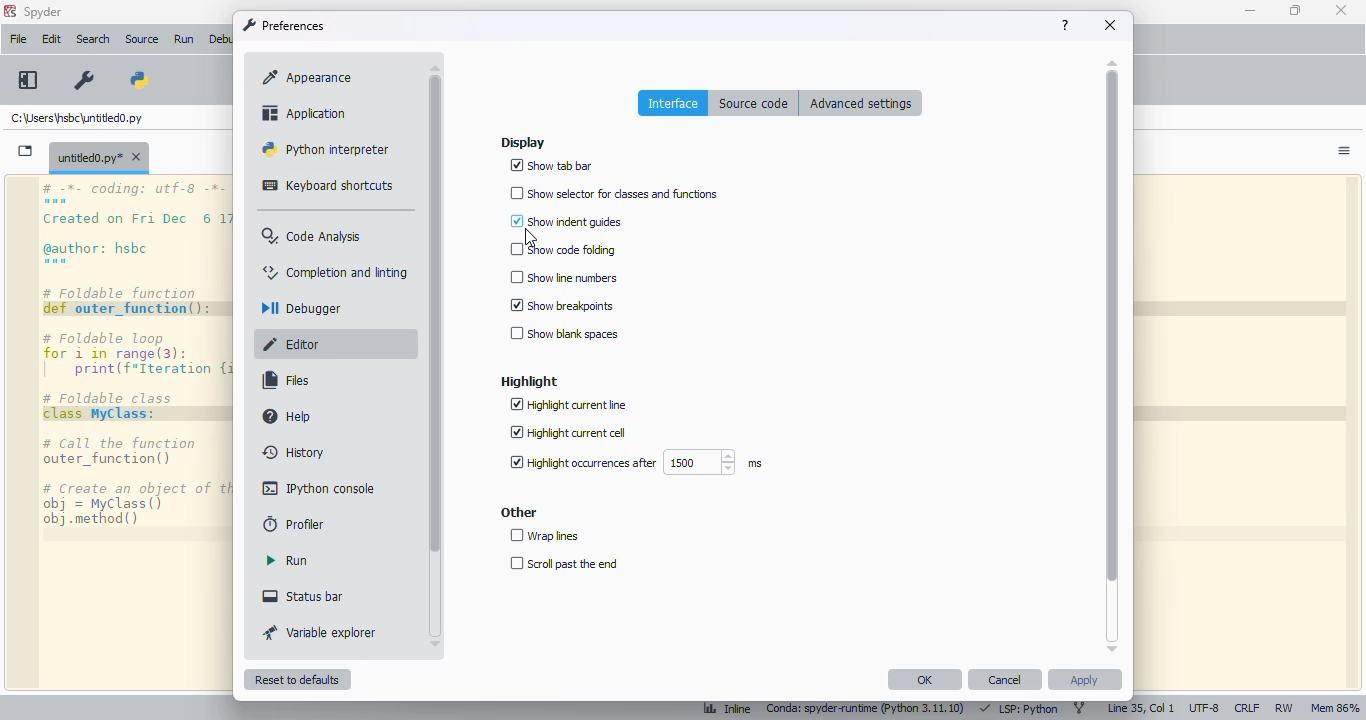 The height and width of the screenshot is (720, 1366). What do you see at coordinates (77, 117) in the screenshot?
I see `untitled0.py` at bounding box center [77, 117].